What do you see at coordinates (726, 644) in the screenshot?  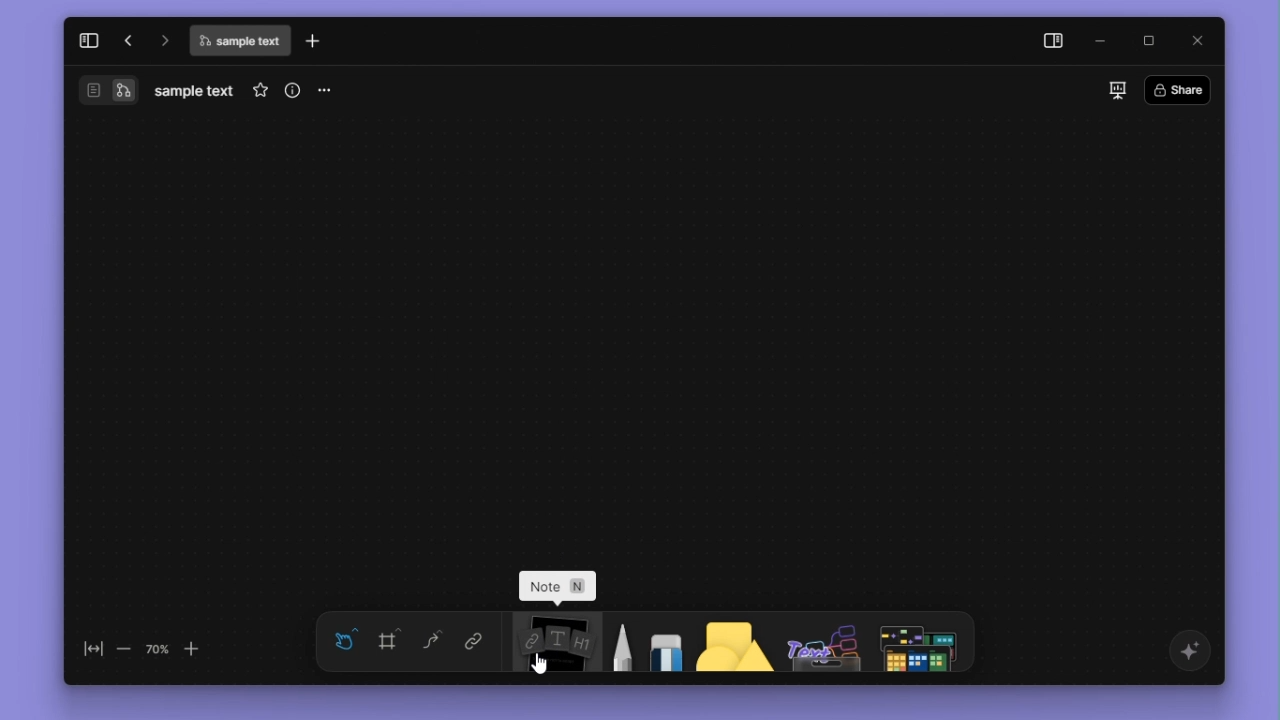 I see `shape` at bounding box center [726, 644].